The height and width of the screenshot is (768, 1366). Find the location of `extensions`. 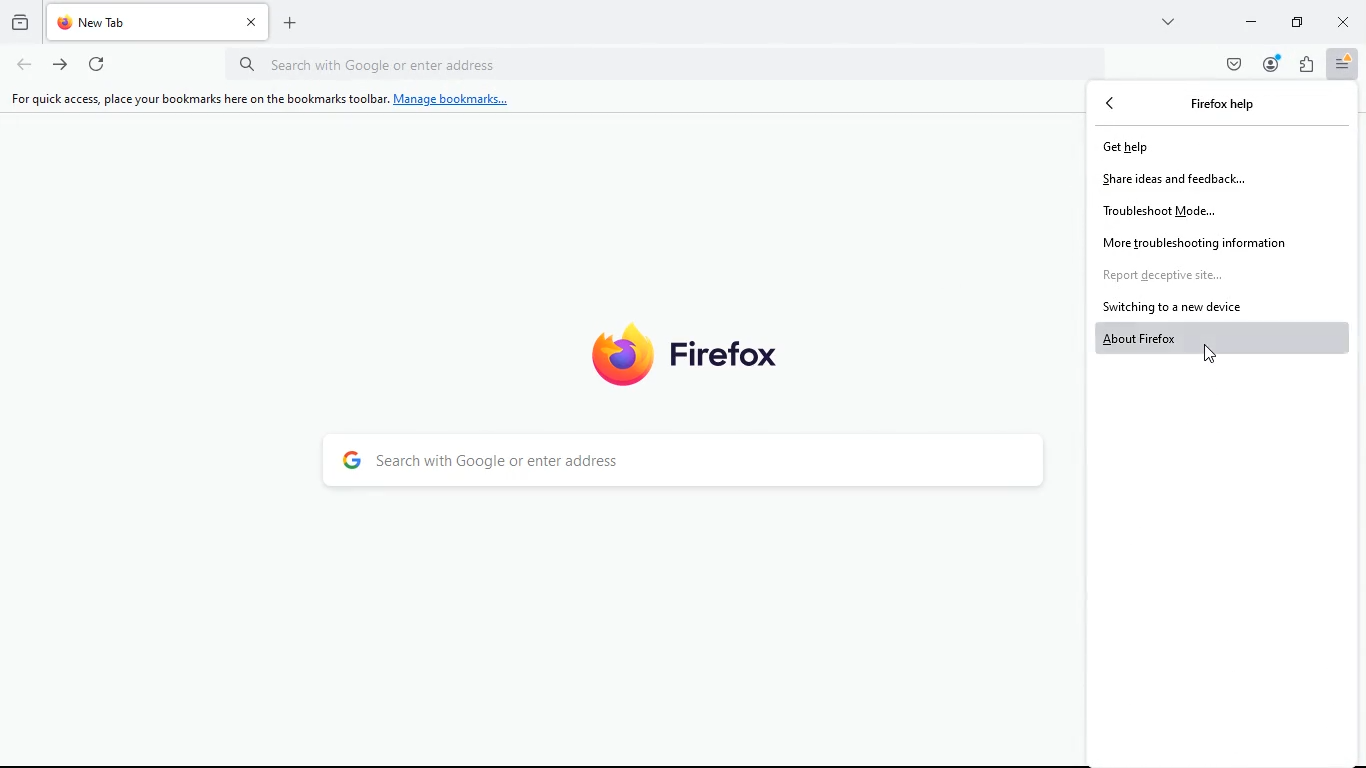

extensions is located at coordinates (1310, 66).